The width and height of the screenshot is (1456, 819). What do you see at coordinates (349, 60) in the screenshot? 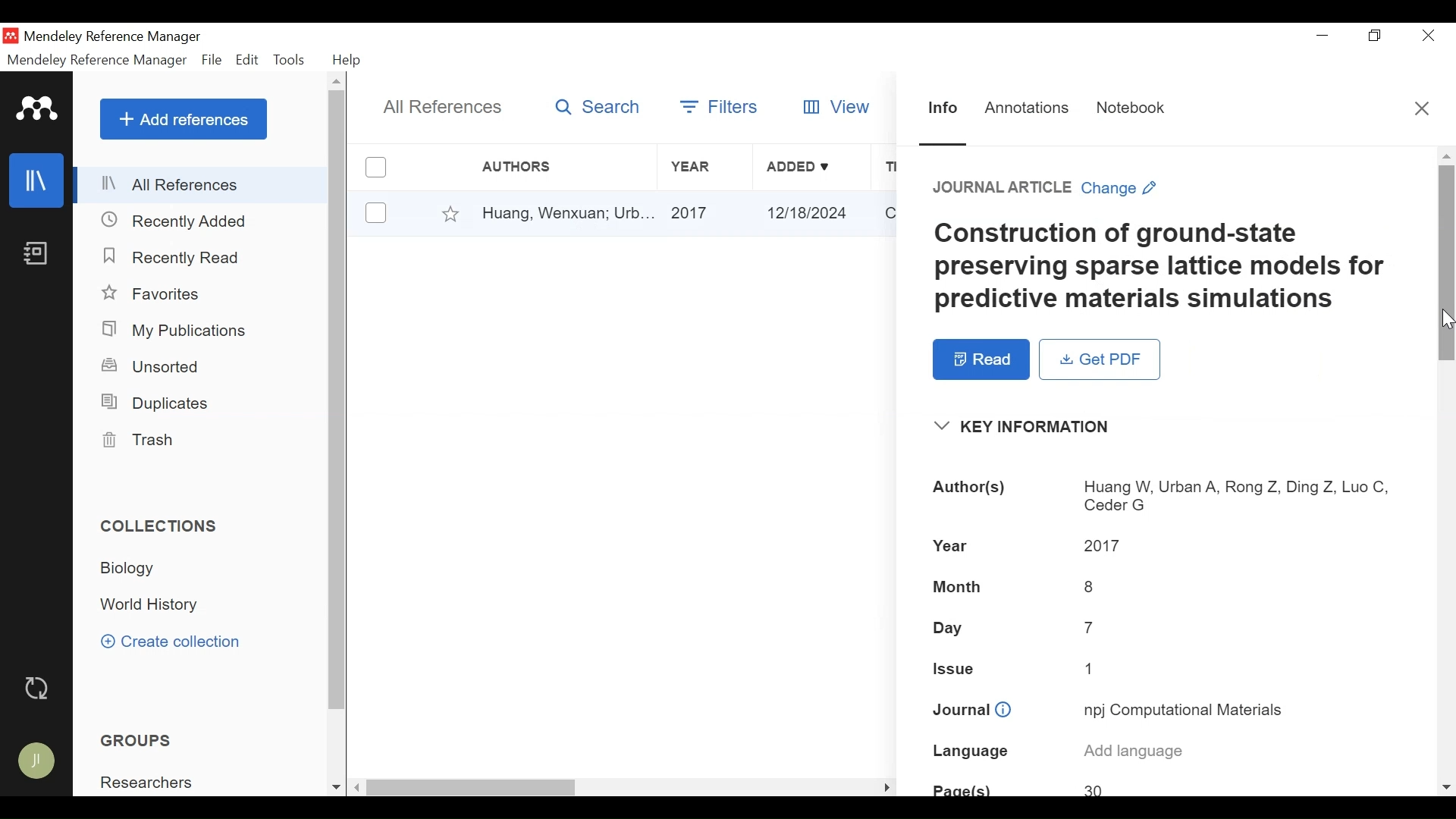
I see `Help` at bounding box center [349, 60].